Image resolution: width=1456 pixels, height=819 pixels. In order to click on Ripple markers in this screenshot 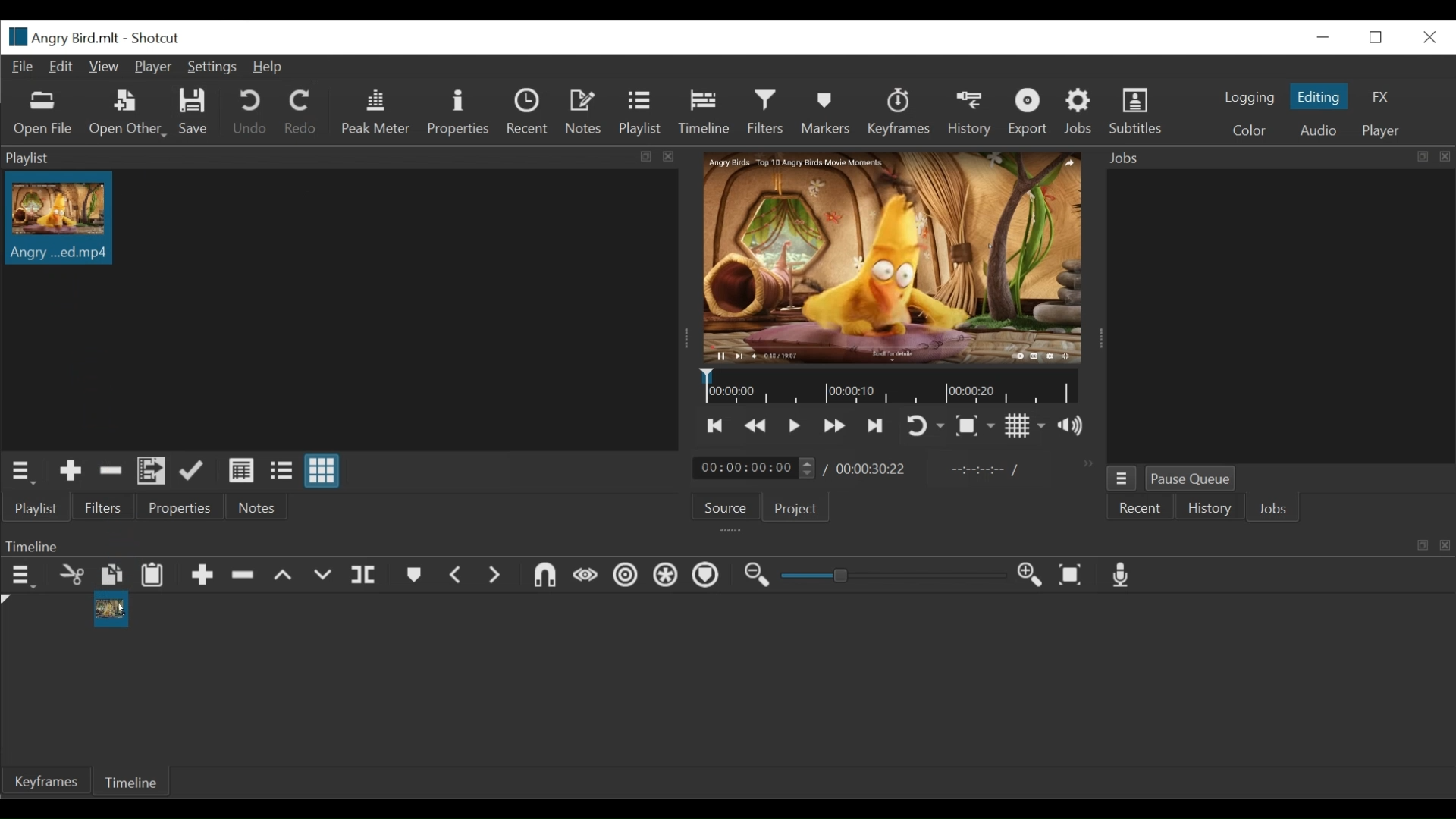, I will do `click(704, 576)`.